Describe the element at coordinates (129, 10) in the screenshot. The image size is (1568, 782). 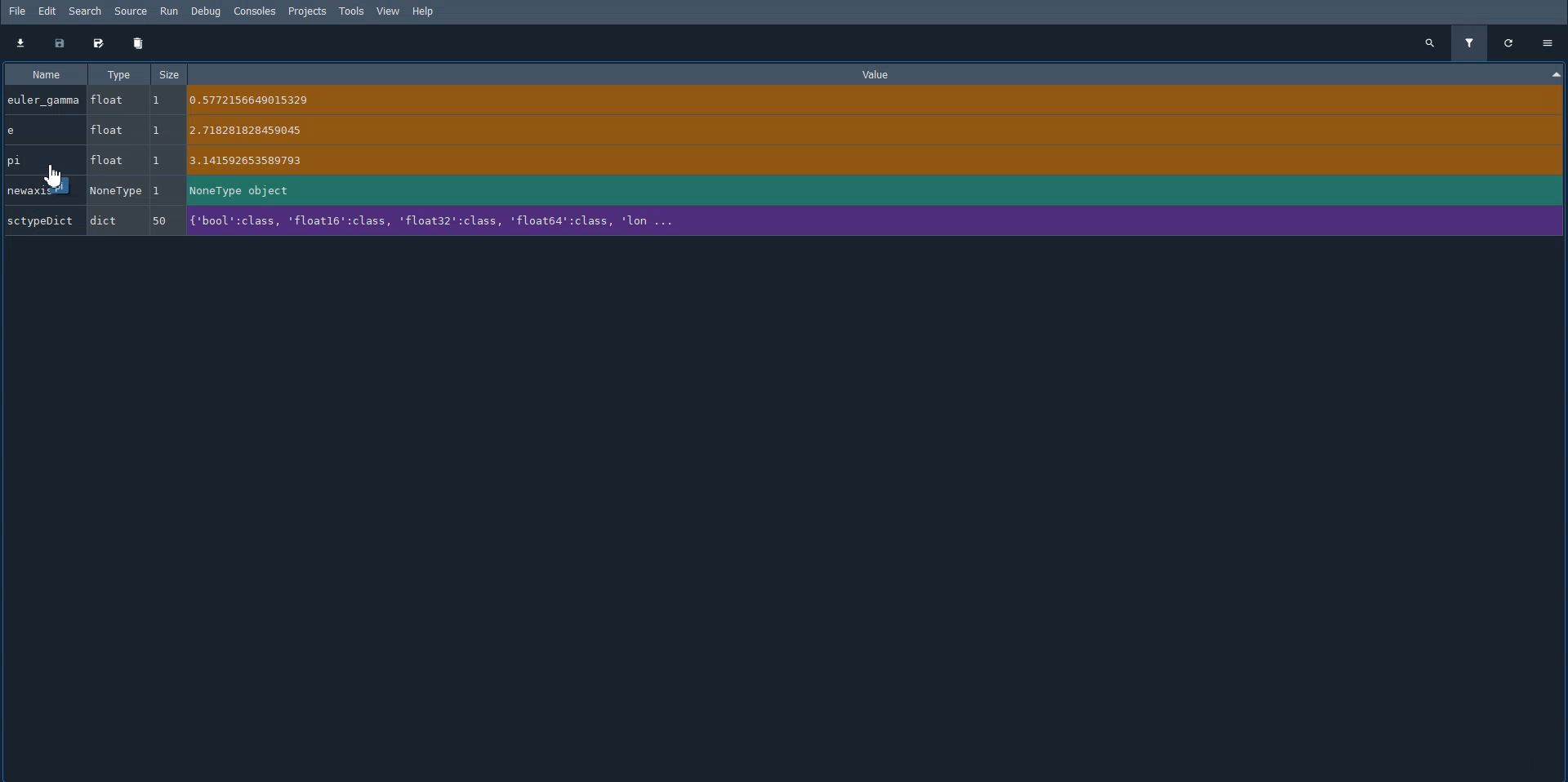
I see `Source` at that location.